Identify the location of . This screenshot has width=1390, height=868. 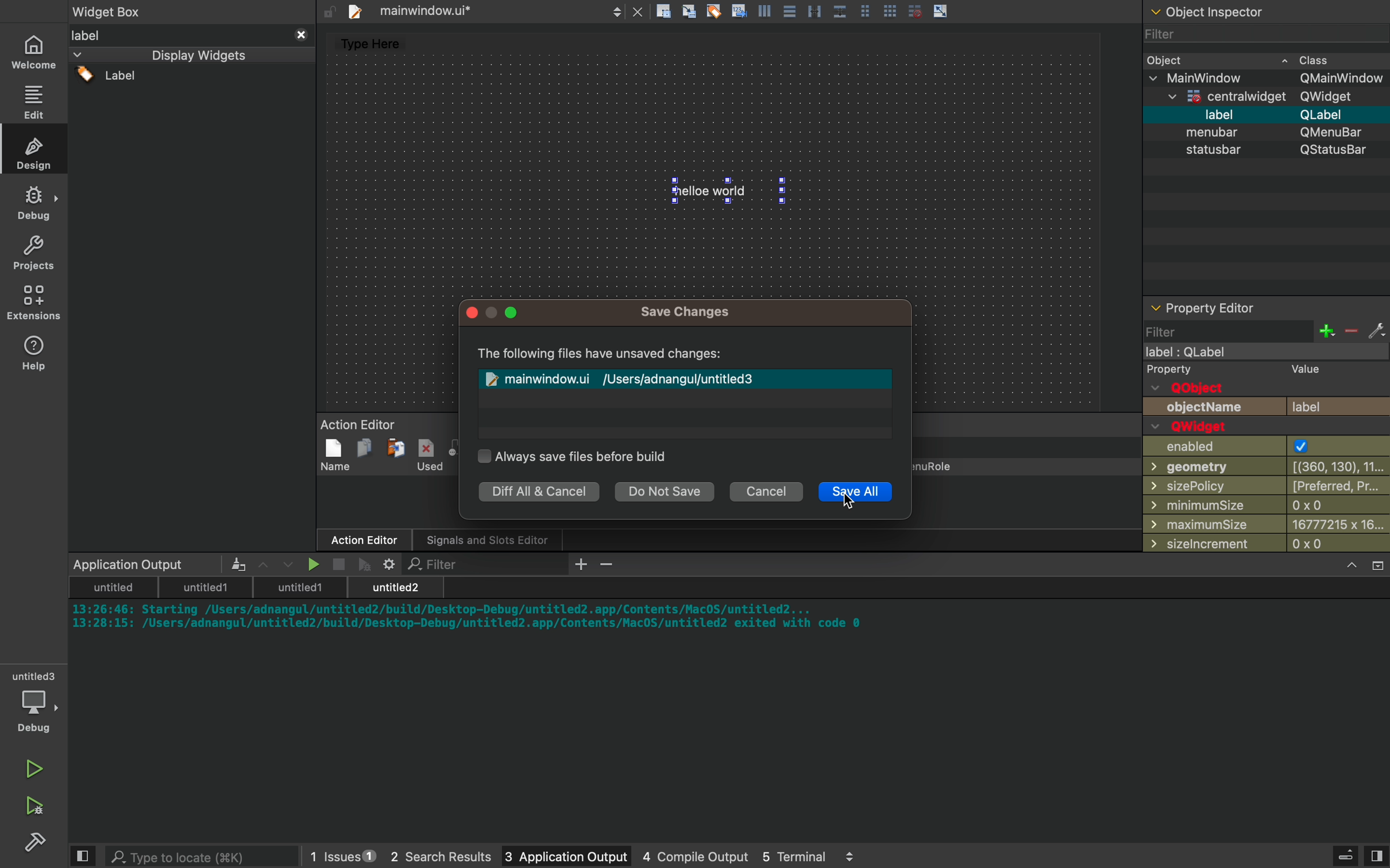
(511, 312).